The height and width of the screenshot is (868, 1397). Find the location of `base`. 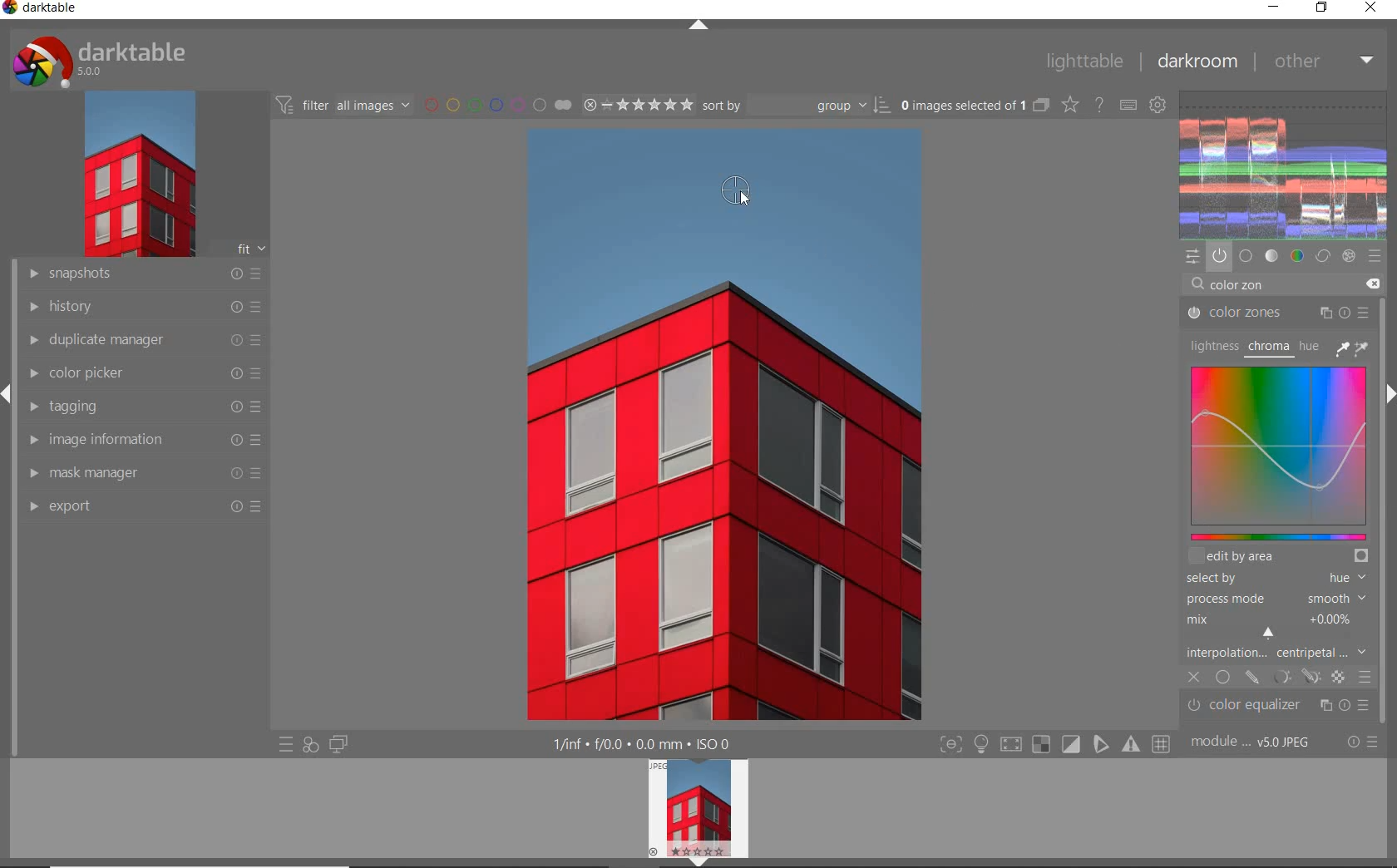

base is located at coordinates (1246, 254).